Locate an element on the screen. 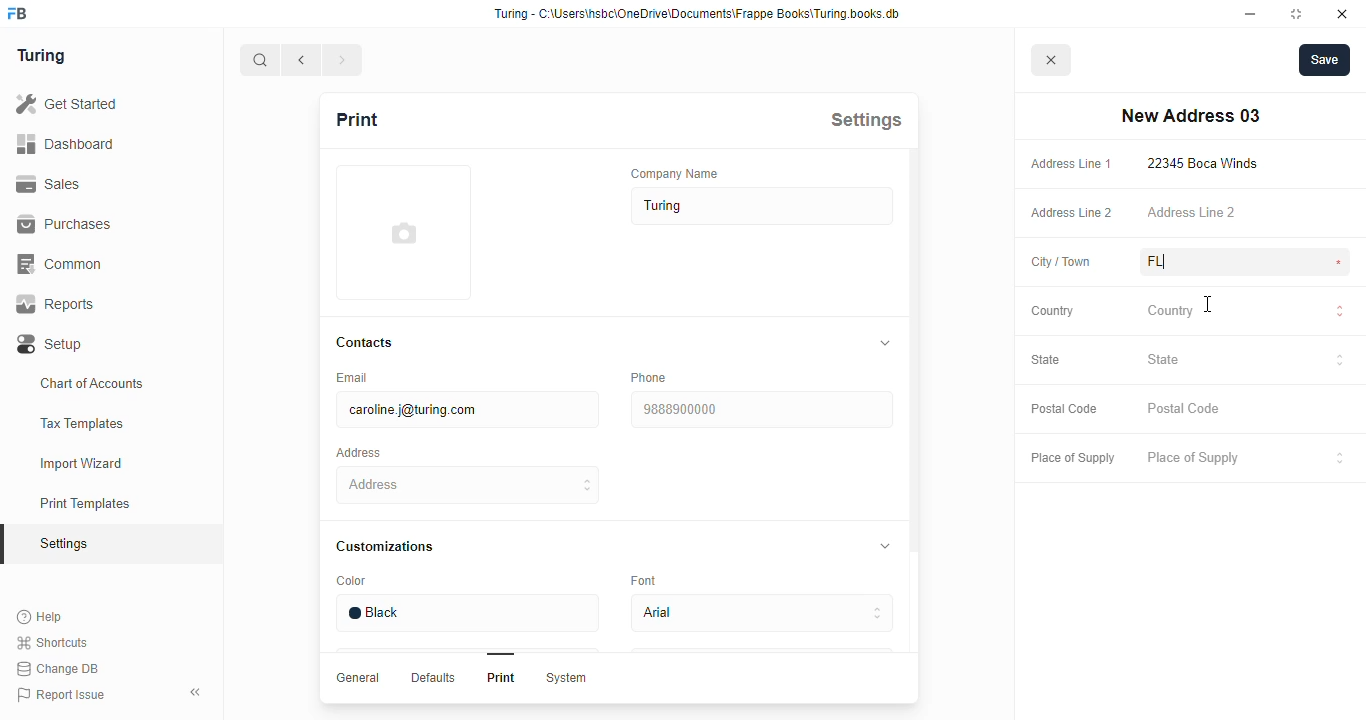 The image size is (1366, 720). place of supply is located at coordinates (1072, 459).